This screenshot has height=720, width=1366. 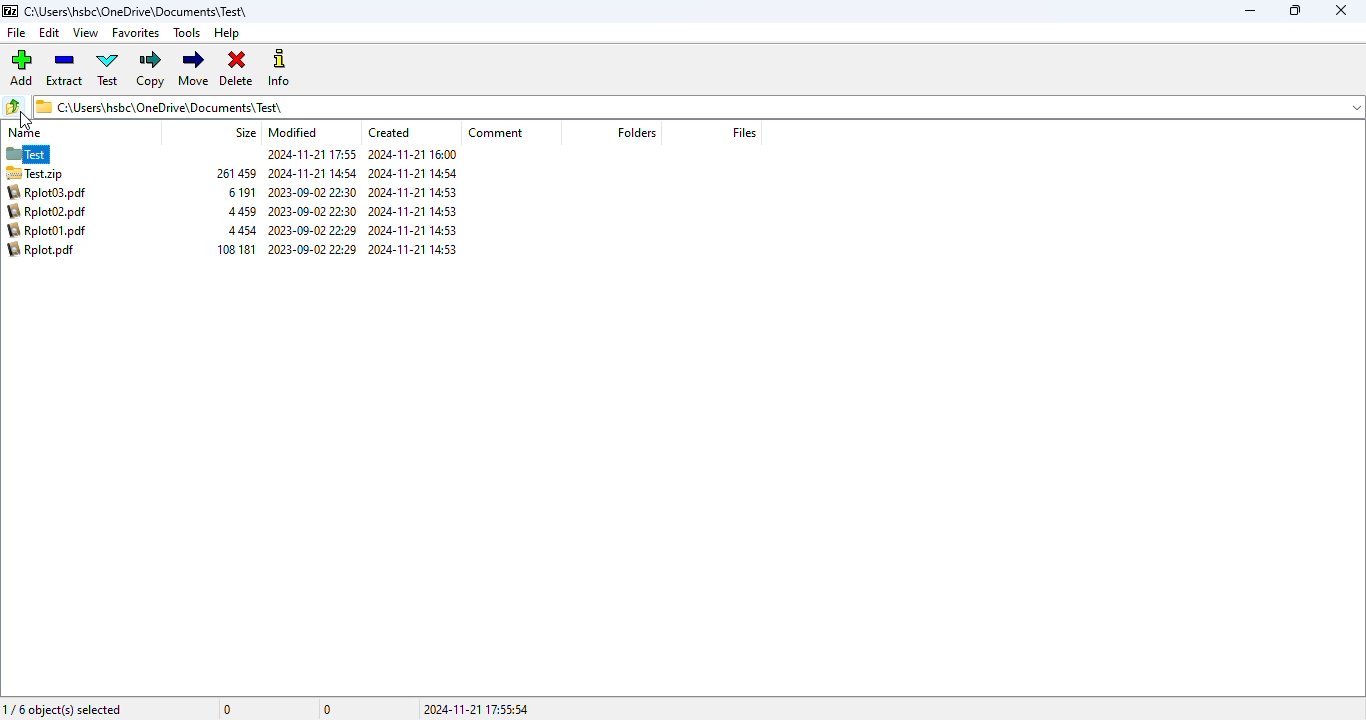 What do you see at coordinates (137, 13) in the screenshot?
I see `C:\Users\hsbc\OneDrive\Documents\Test\` at bounding box center [137, 13].